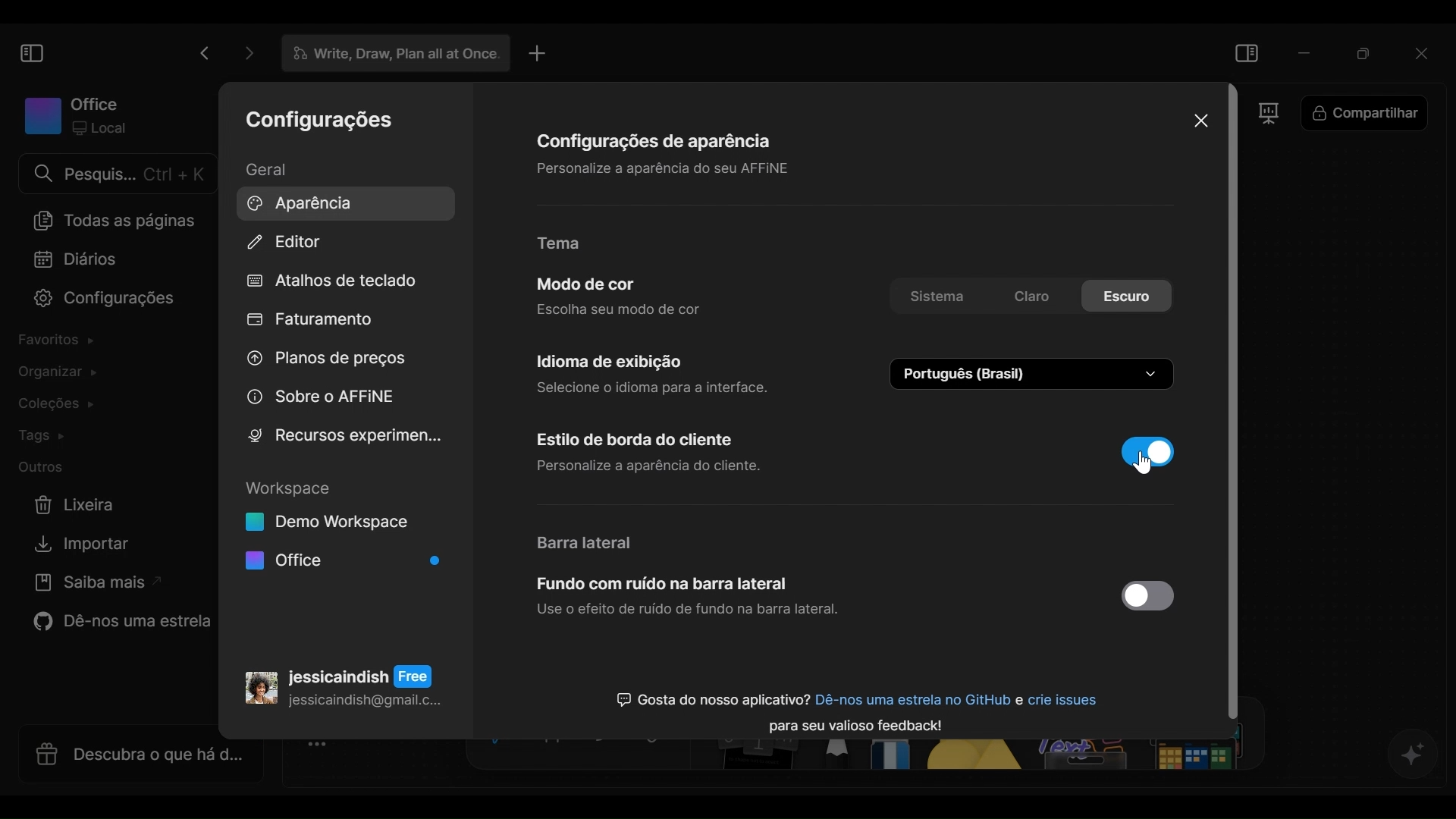 Image resolution: width=1456 pixels, height=819 pixels. What do you see at coordinates (667, 748) in the screenshot?
I see `Link` at bounding box center [667, 748].